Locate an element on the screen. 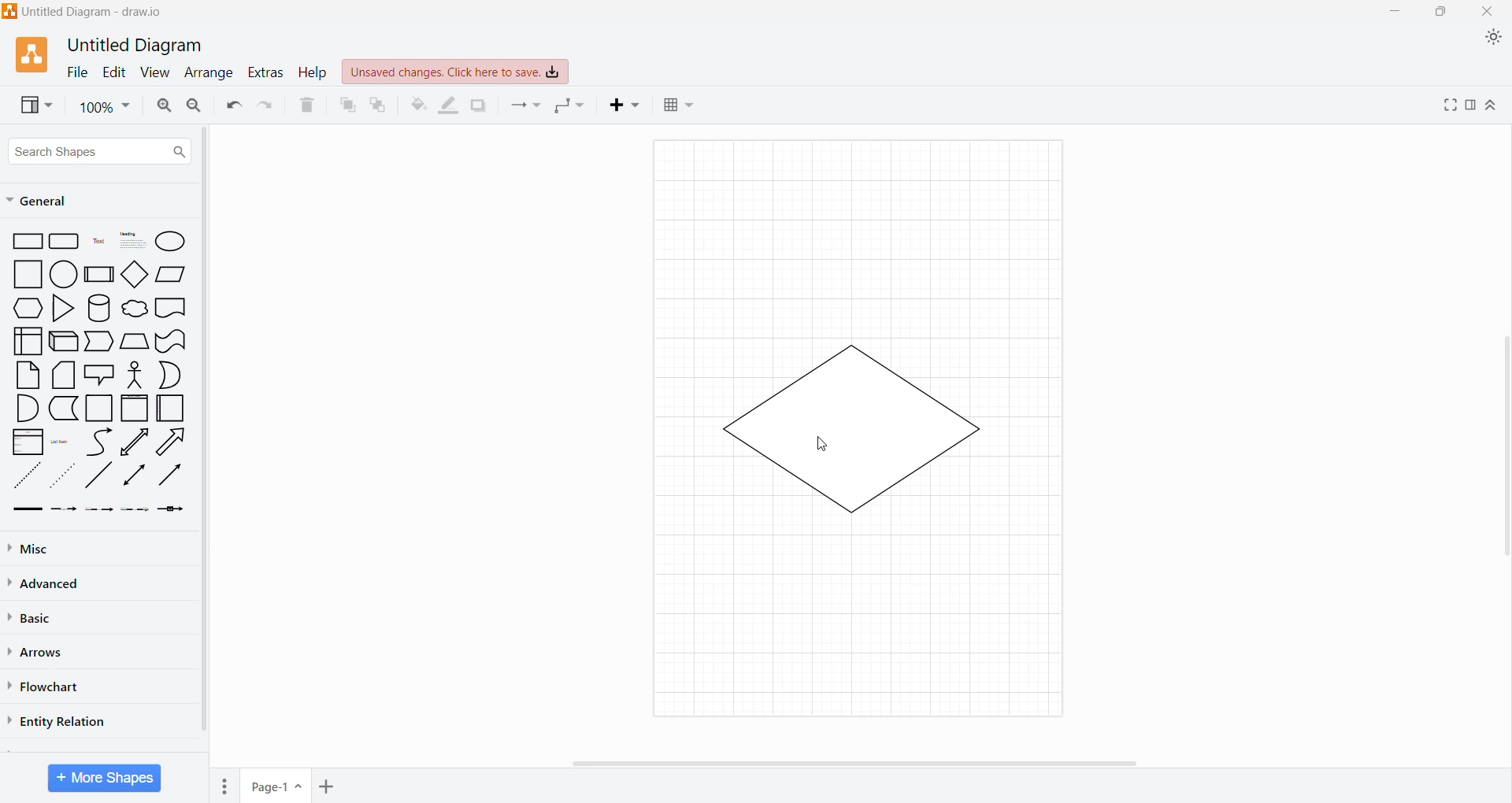 This screenshot has width=1512, height=803. Untitled Diagram is located at coordinates (139, 44).